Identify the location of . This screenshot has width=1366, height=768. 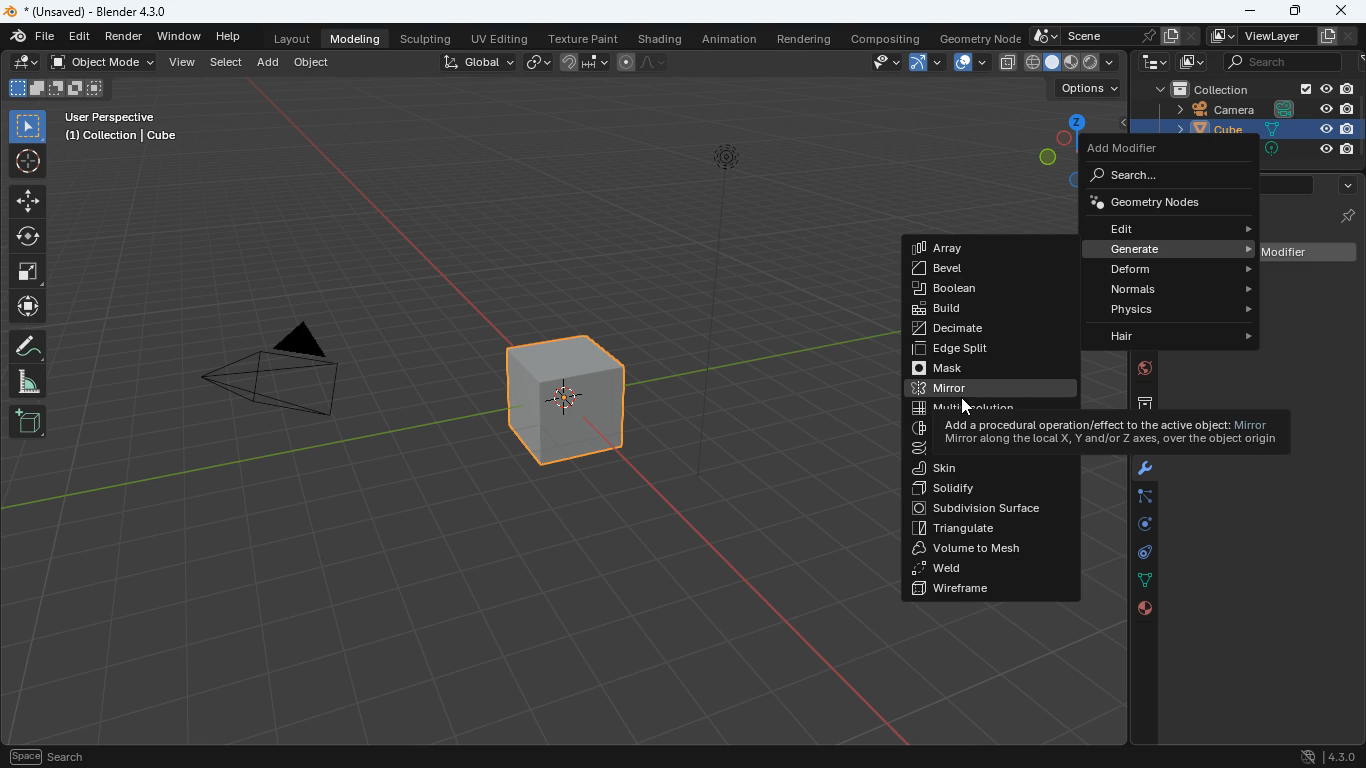
(52, 755).